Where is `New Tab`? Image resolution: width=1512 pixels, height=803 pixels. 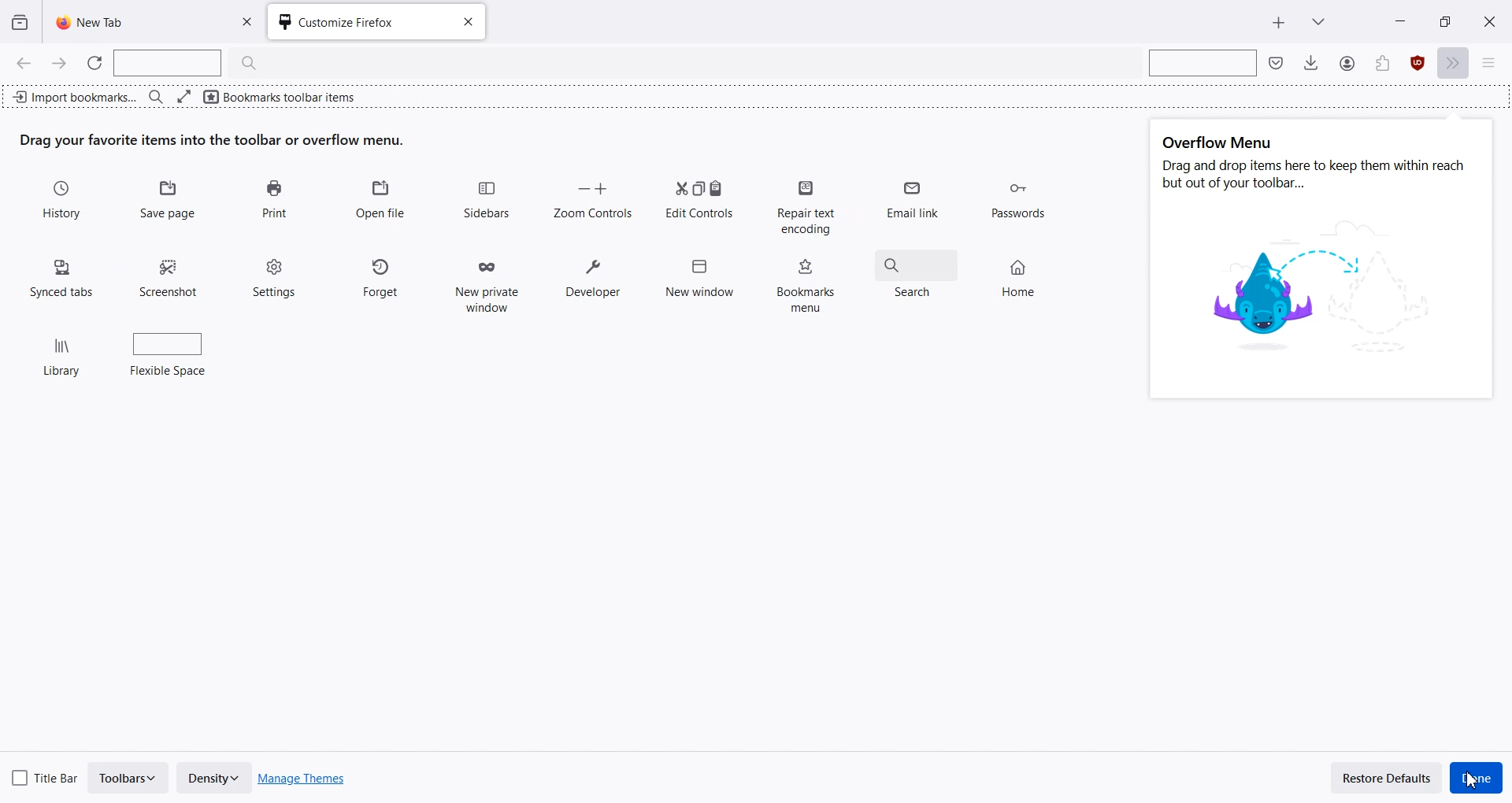
New Tab is located at coordinates (132, 24).